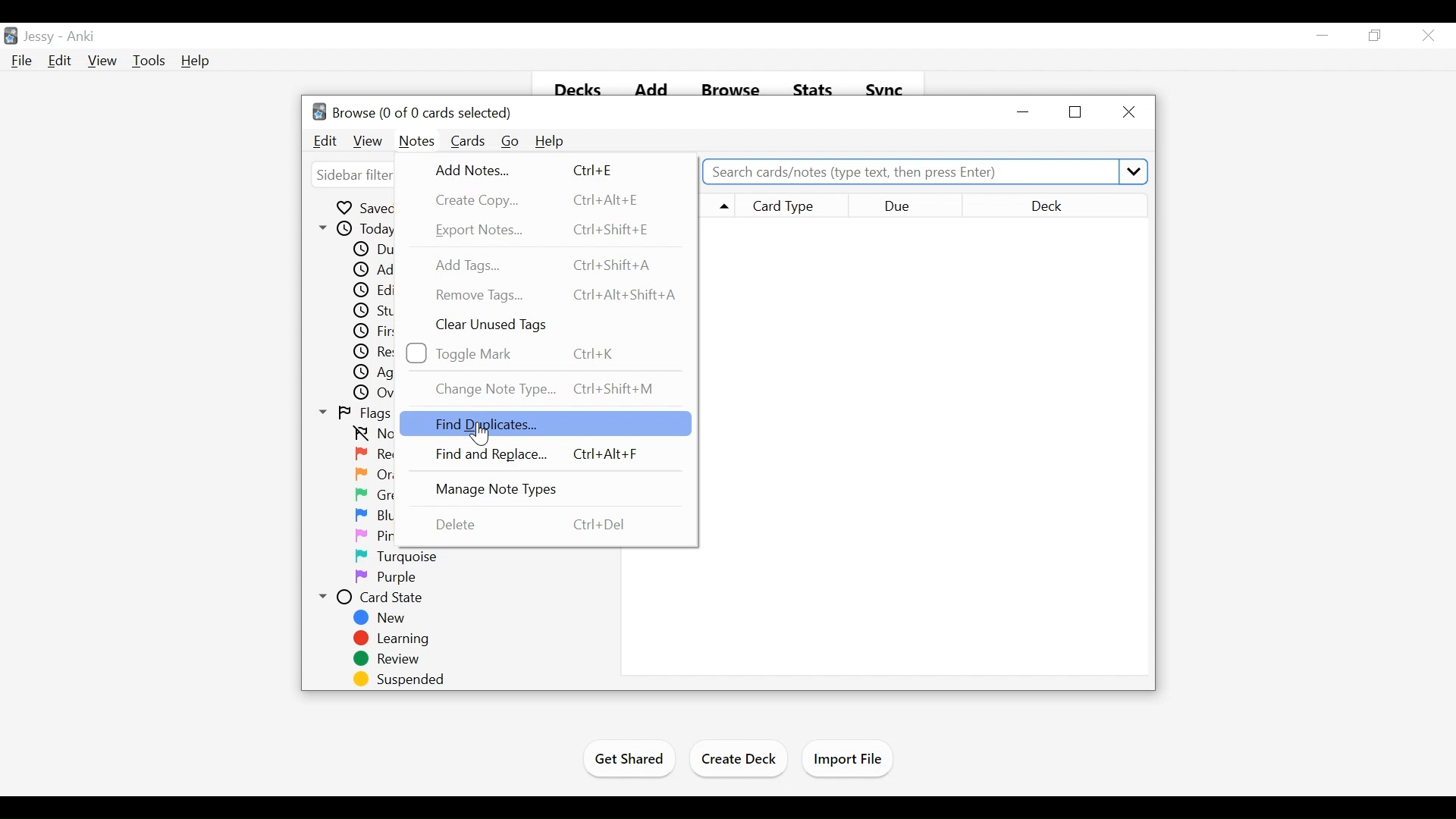  I want to click on Edit, so click(326, 141).